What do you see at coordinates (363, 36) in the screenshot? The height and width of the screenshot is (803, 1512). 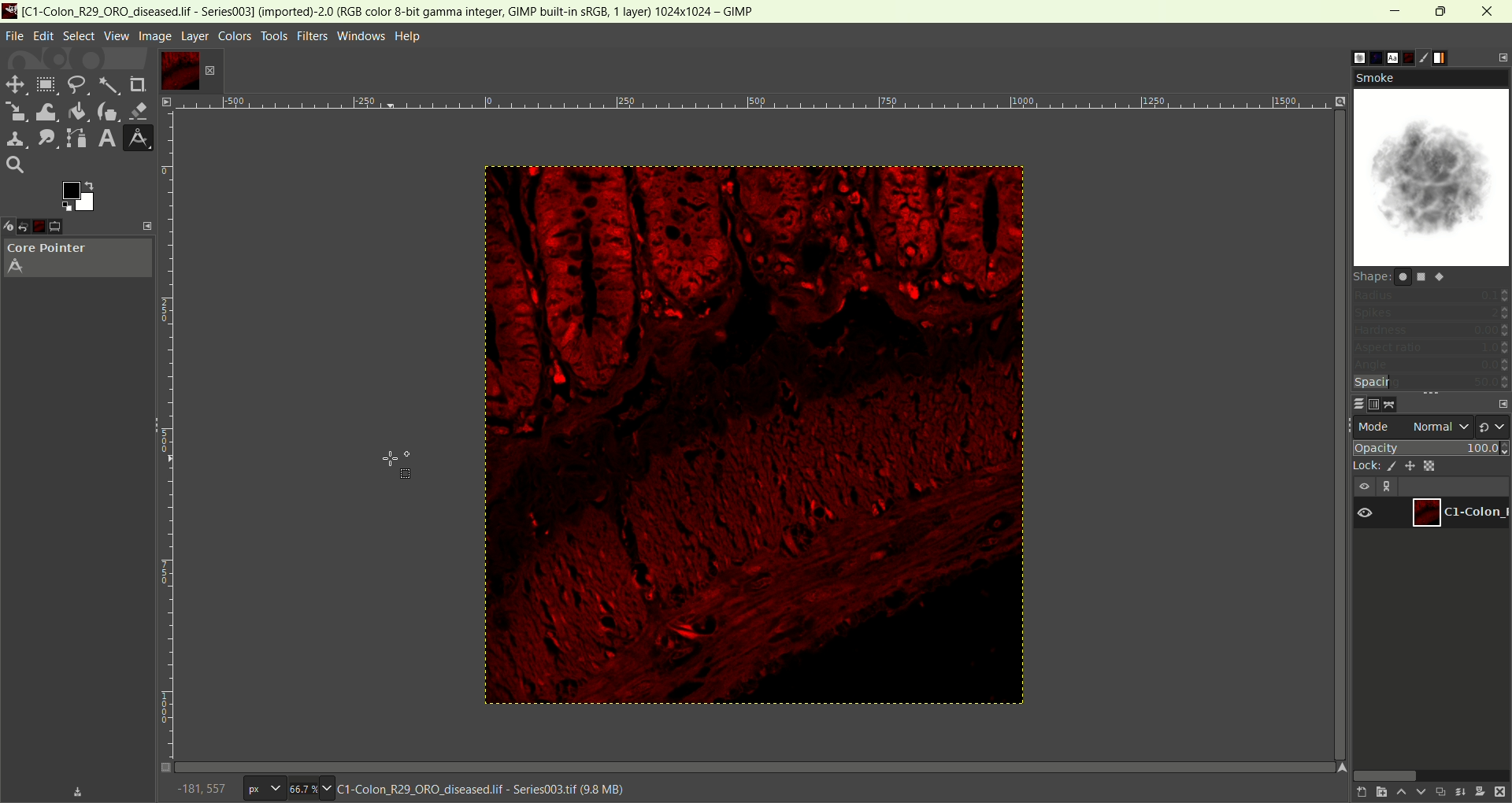 I see `windows` at bounding box center [363, 36].